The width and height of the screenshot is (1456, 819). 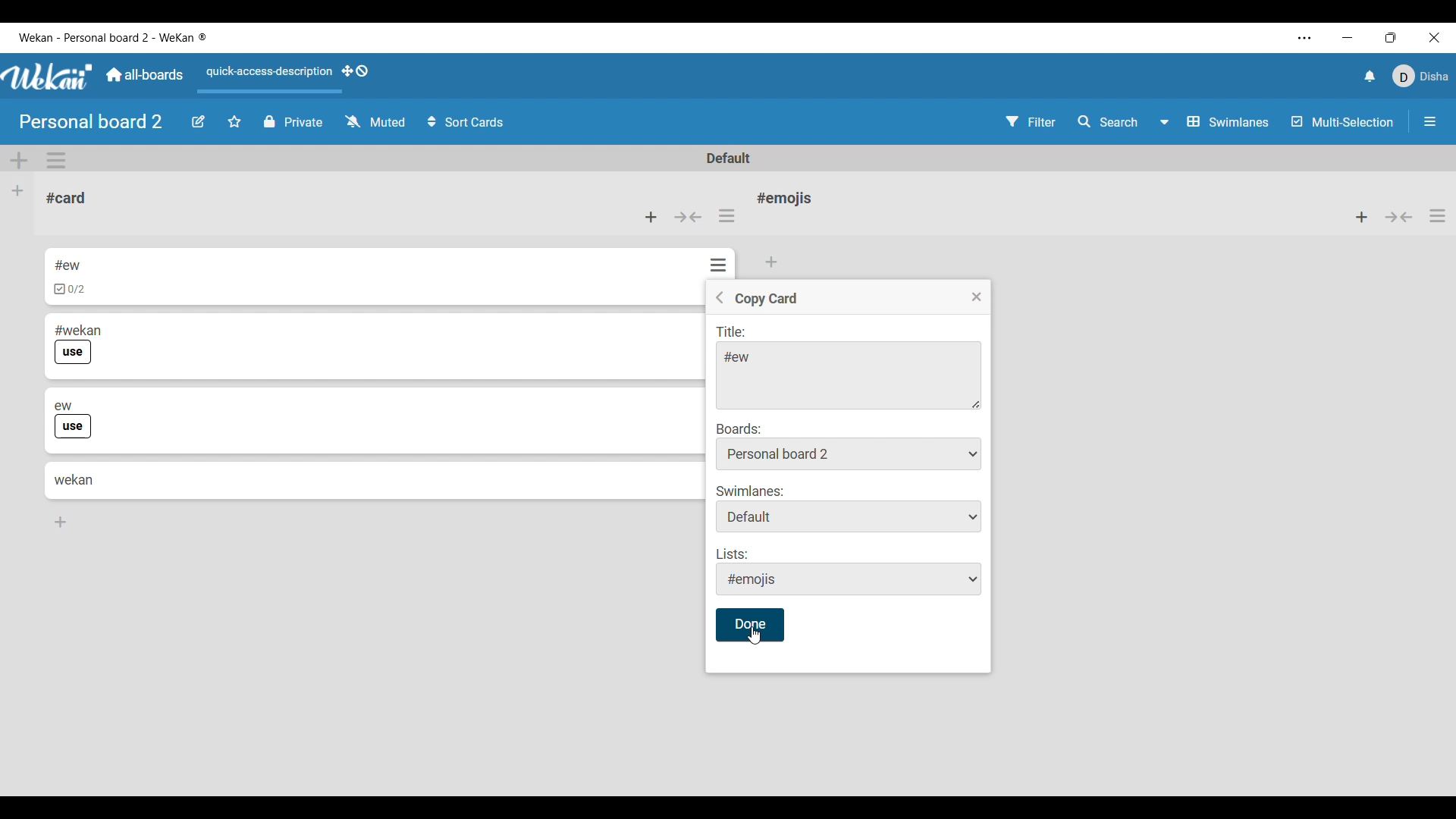 I want to click on Swimlane actions, so click(x=56, y=161).